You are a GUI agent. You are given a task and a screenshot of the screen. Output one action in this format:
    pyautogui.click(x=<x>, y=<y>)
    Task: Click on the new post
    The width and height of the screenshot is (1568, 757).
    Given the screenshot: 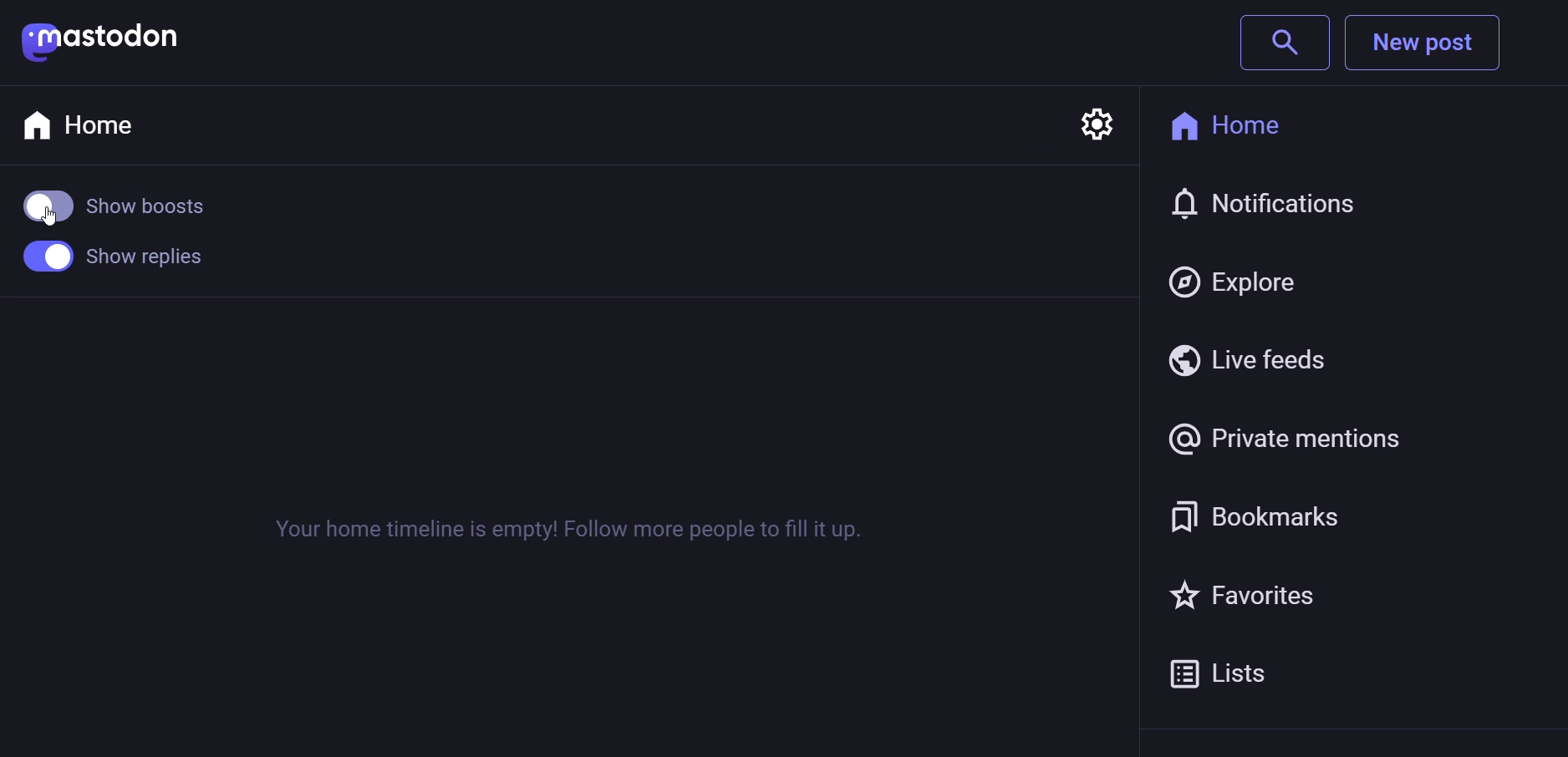 What is the action you would take?
    pyautogui.click(x=1428, y=44)
    